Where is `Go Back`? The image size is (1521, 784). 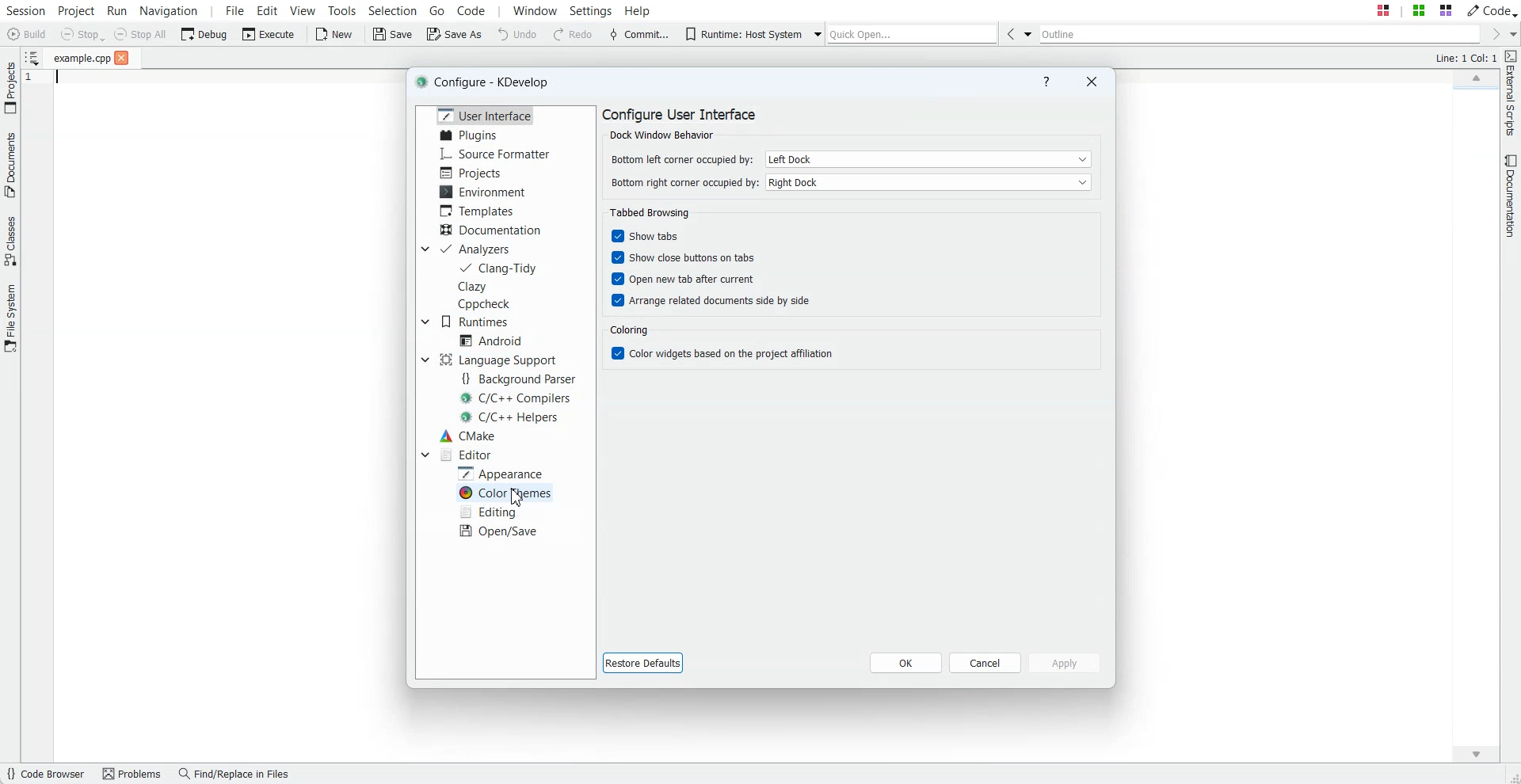
Go Back is located at coordinates (1008, 33).